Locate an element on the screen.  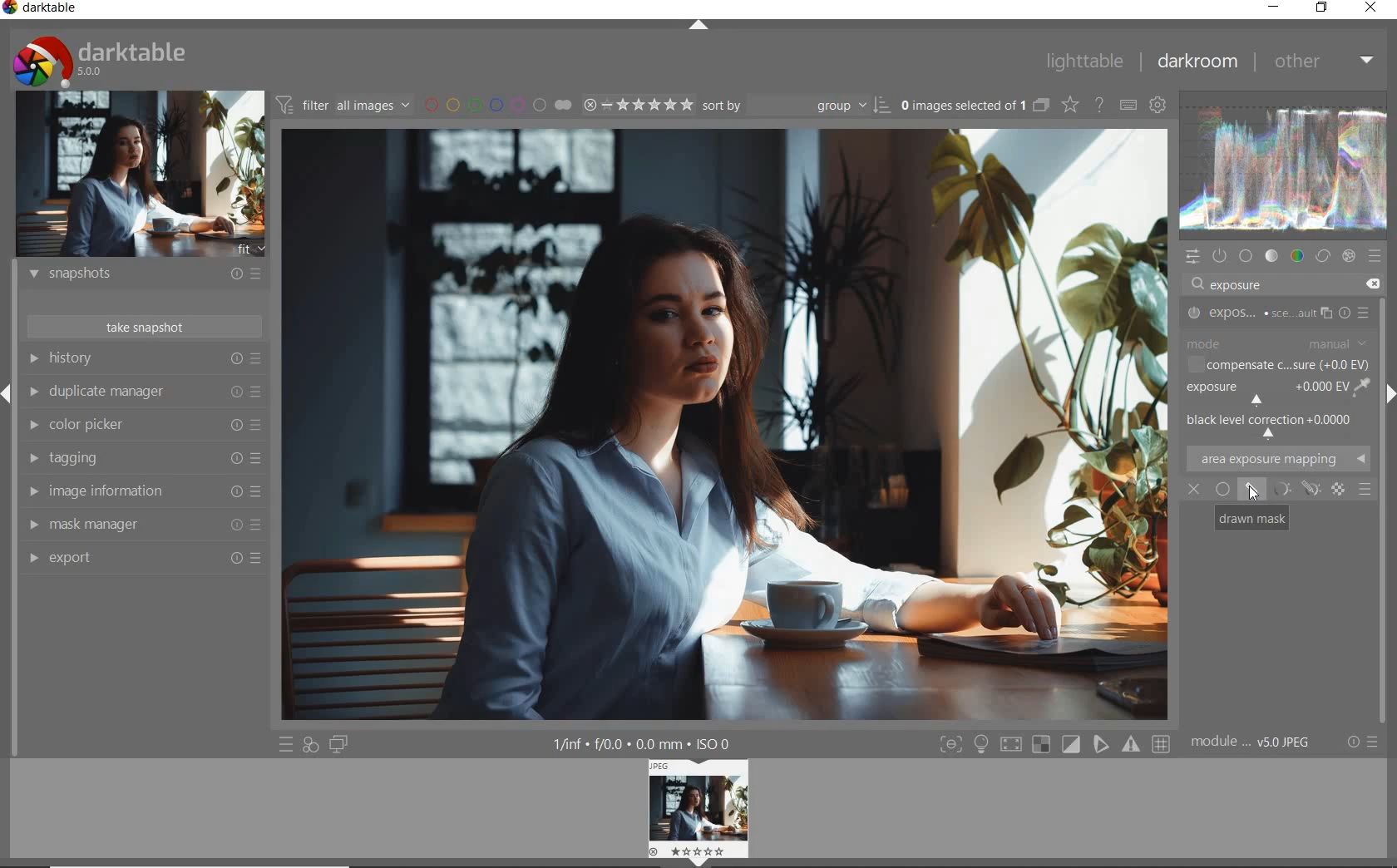
quick access to presets is located at coordinates (287, 743).